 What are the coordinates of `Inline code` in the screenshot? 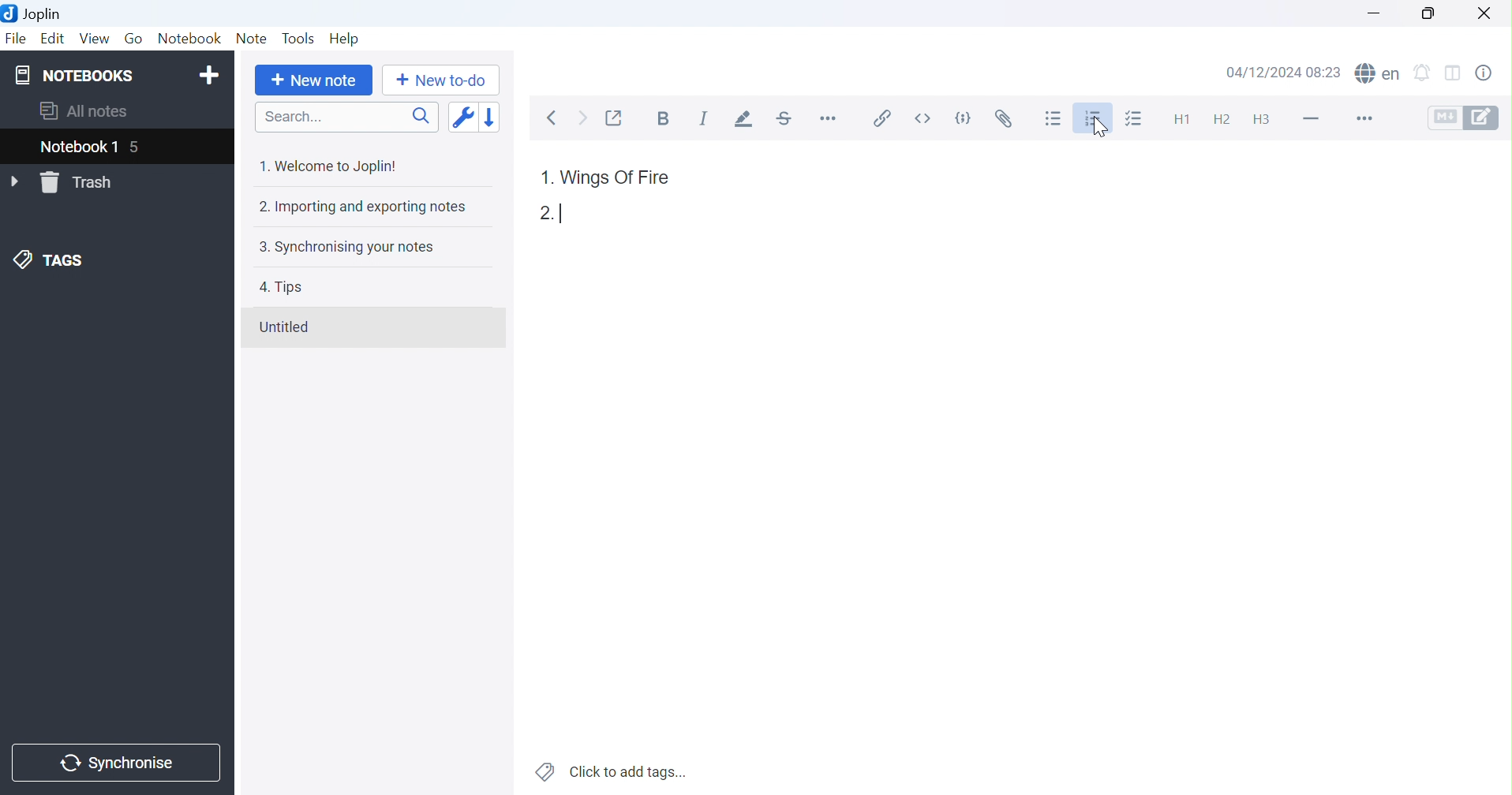 It's located at (922, 118).